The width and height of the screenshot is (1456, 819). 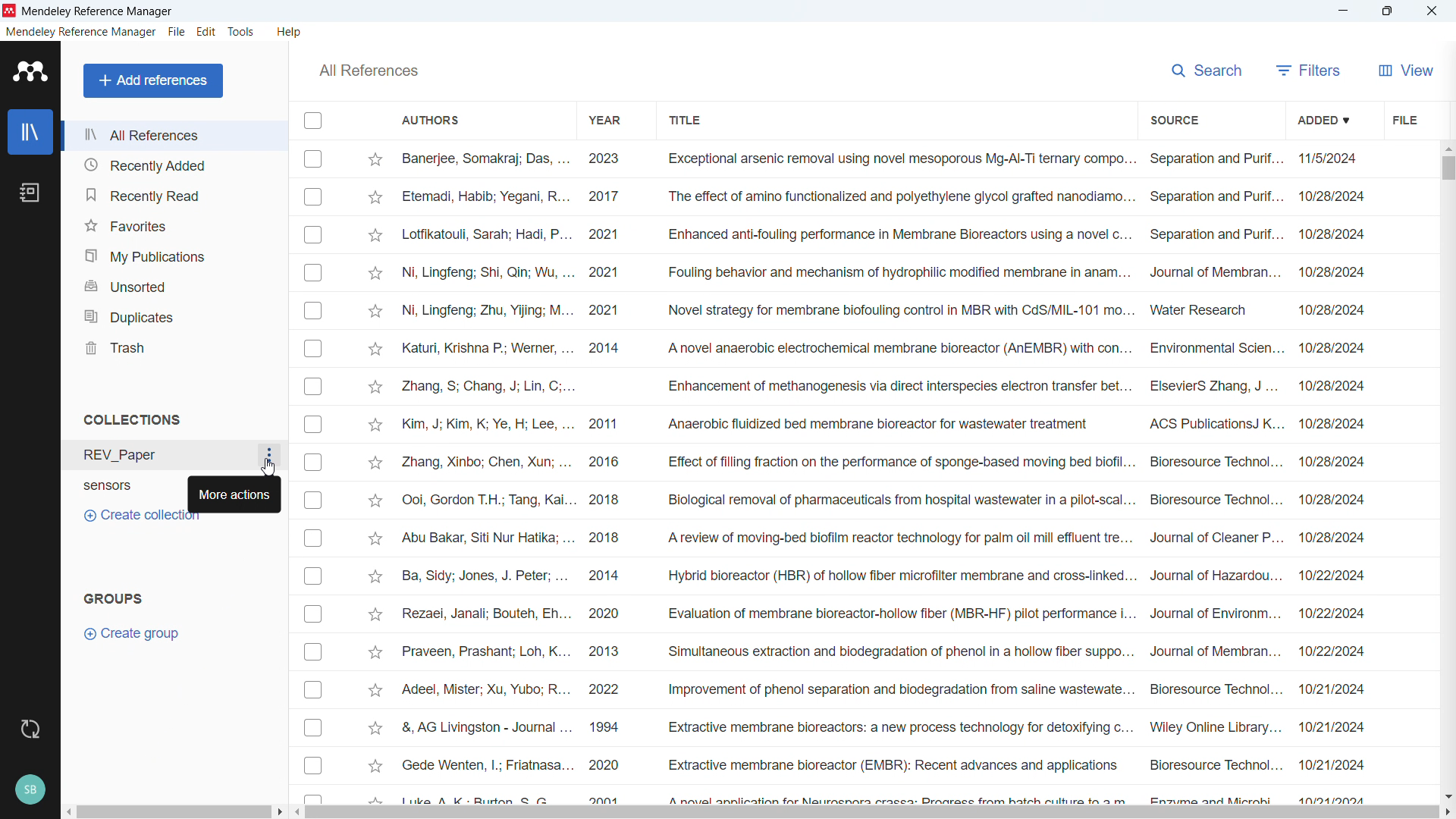 I want to click on Duplicates , so click(x=173, y=315).